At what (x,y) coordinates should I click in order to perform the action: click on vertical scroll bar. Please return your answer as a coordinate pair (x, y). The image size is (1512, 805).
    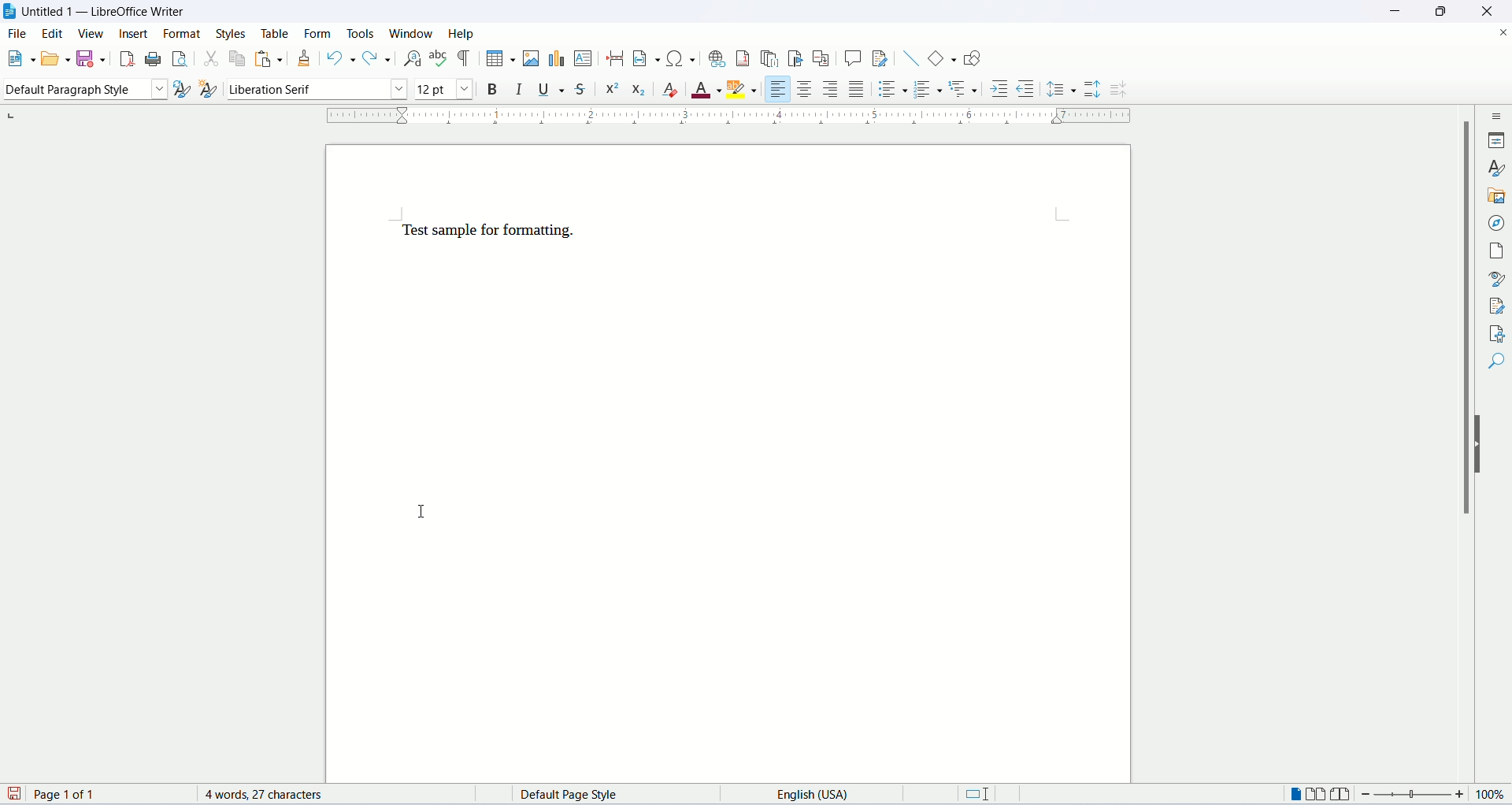
    Looking at the image, I should click on (1462, 448).